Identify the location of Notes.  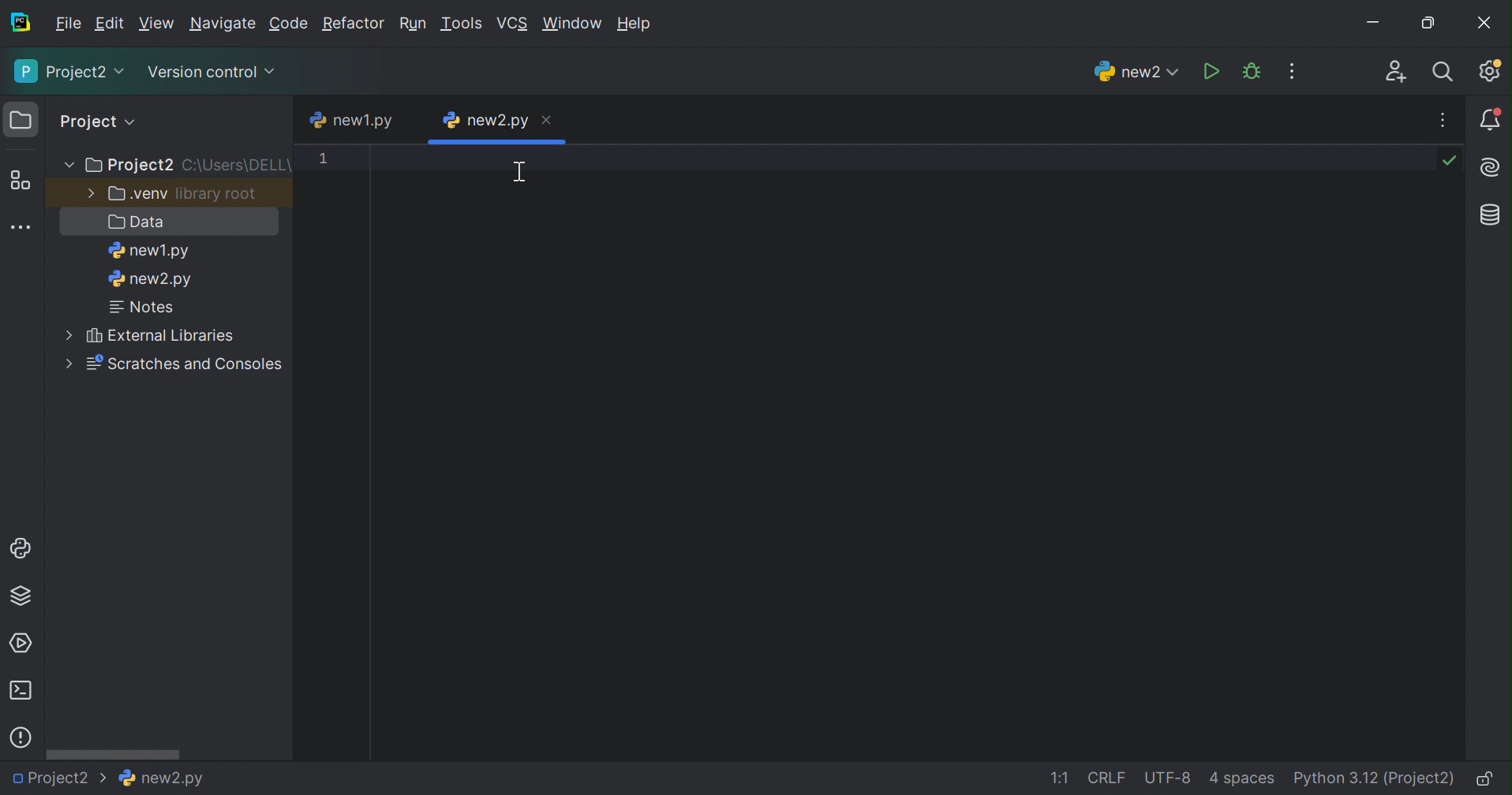
(142, 308).